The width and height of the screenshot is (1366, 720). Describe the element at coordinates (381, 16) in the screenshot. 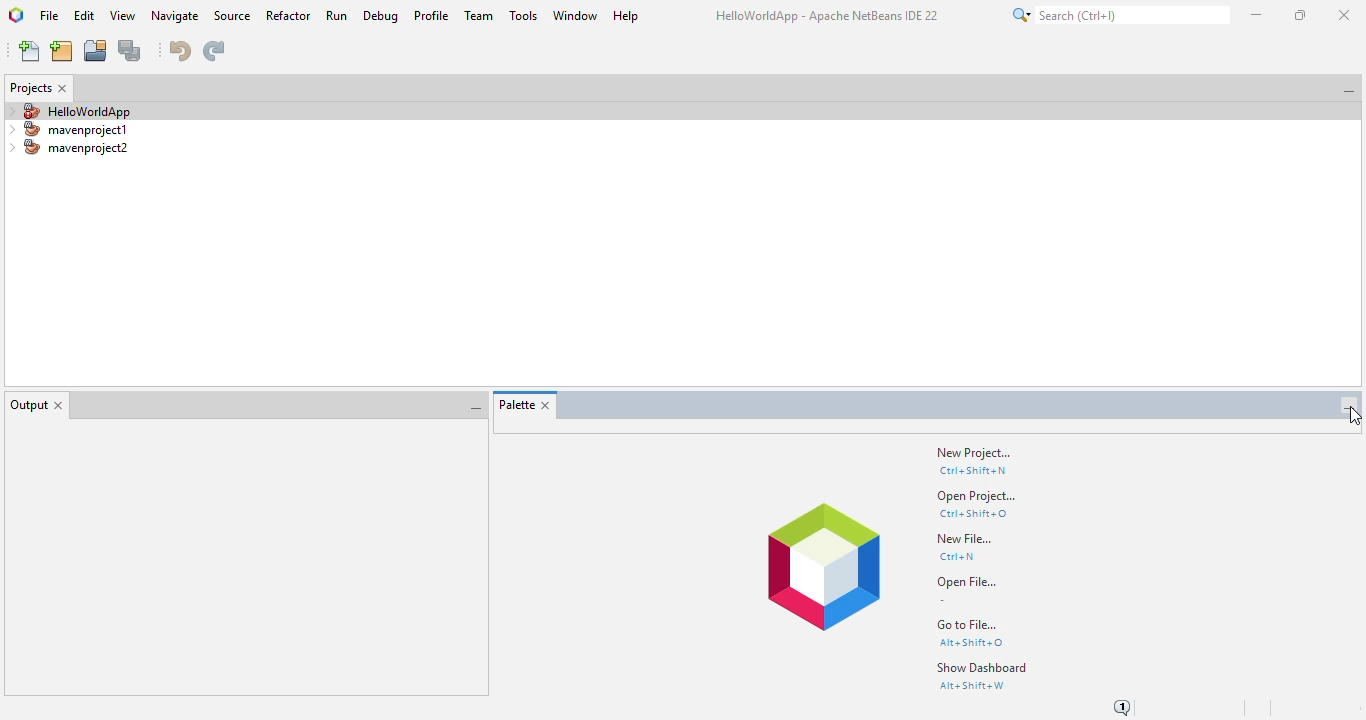

I see `debug` at that location.